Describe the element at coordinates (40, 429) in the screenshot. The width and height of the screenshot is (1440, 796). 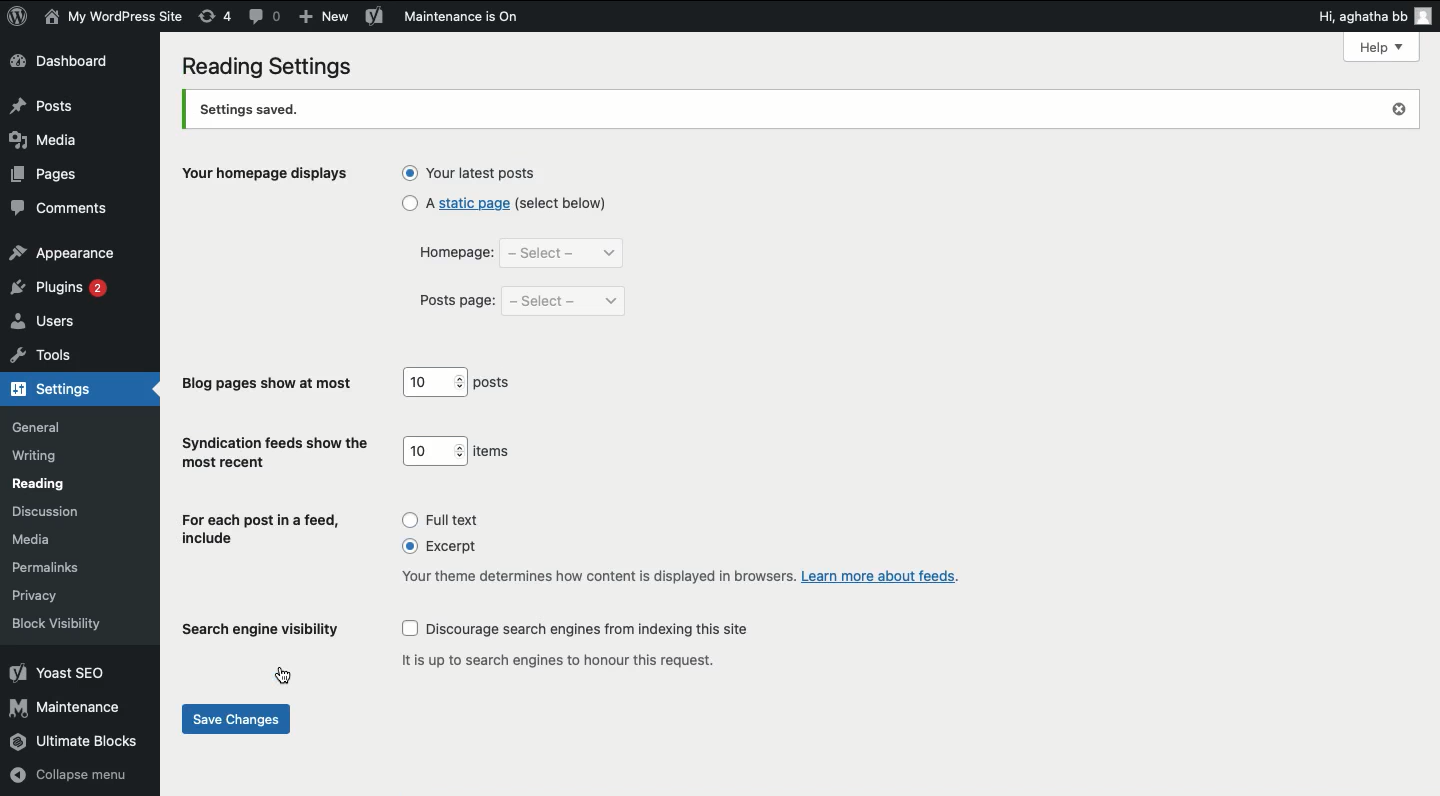
I see `general ` at that location.